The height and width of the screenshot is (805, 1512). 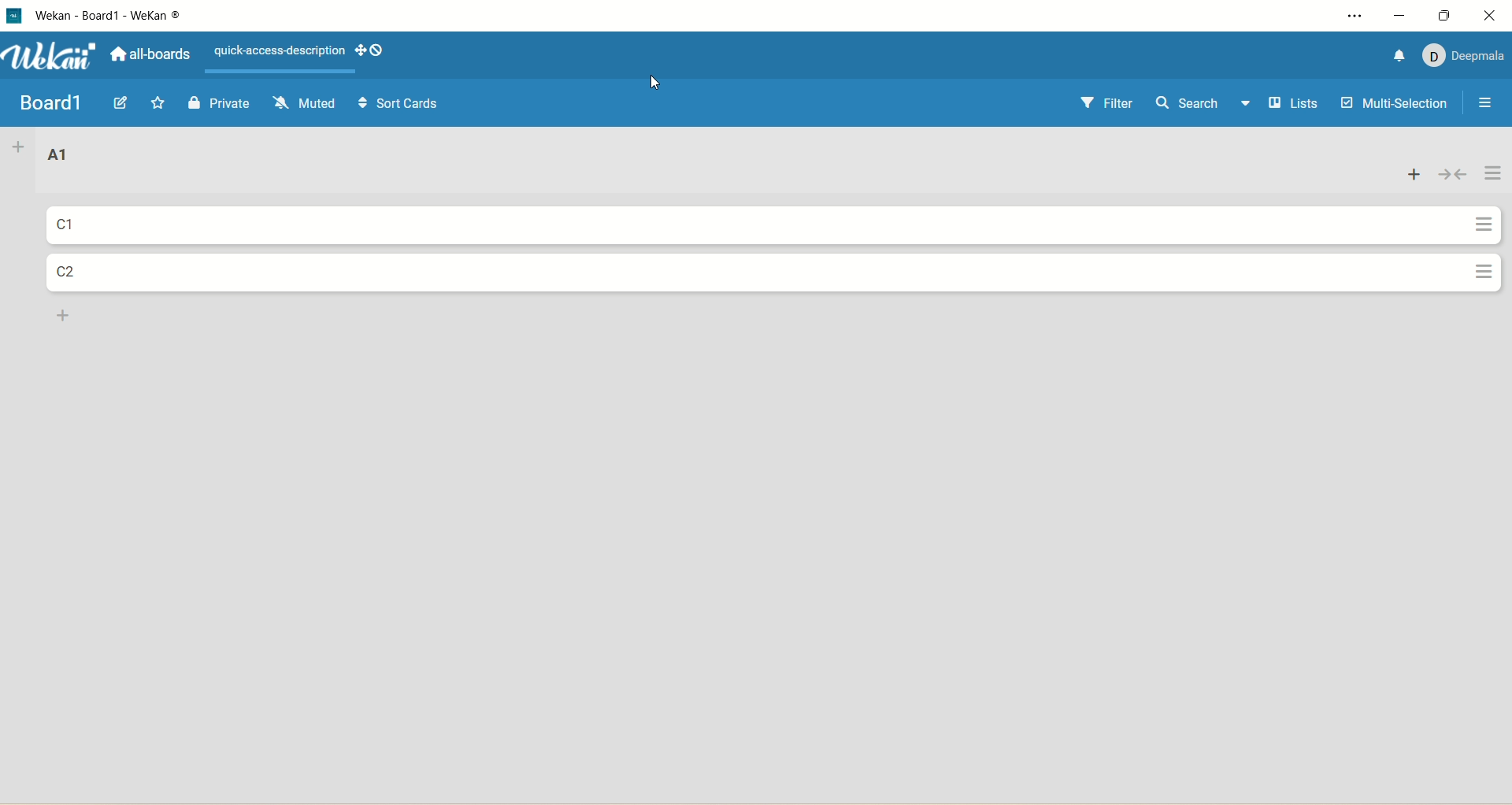 What do you see at coordinates (1454, 173) in the screenshot?
I see `collapse` at bounding box center [1454, 173].